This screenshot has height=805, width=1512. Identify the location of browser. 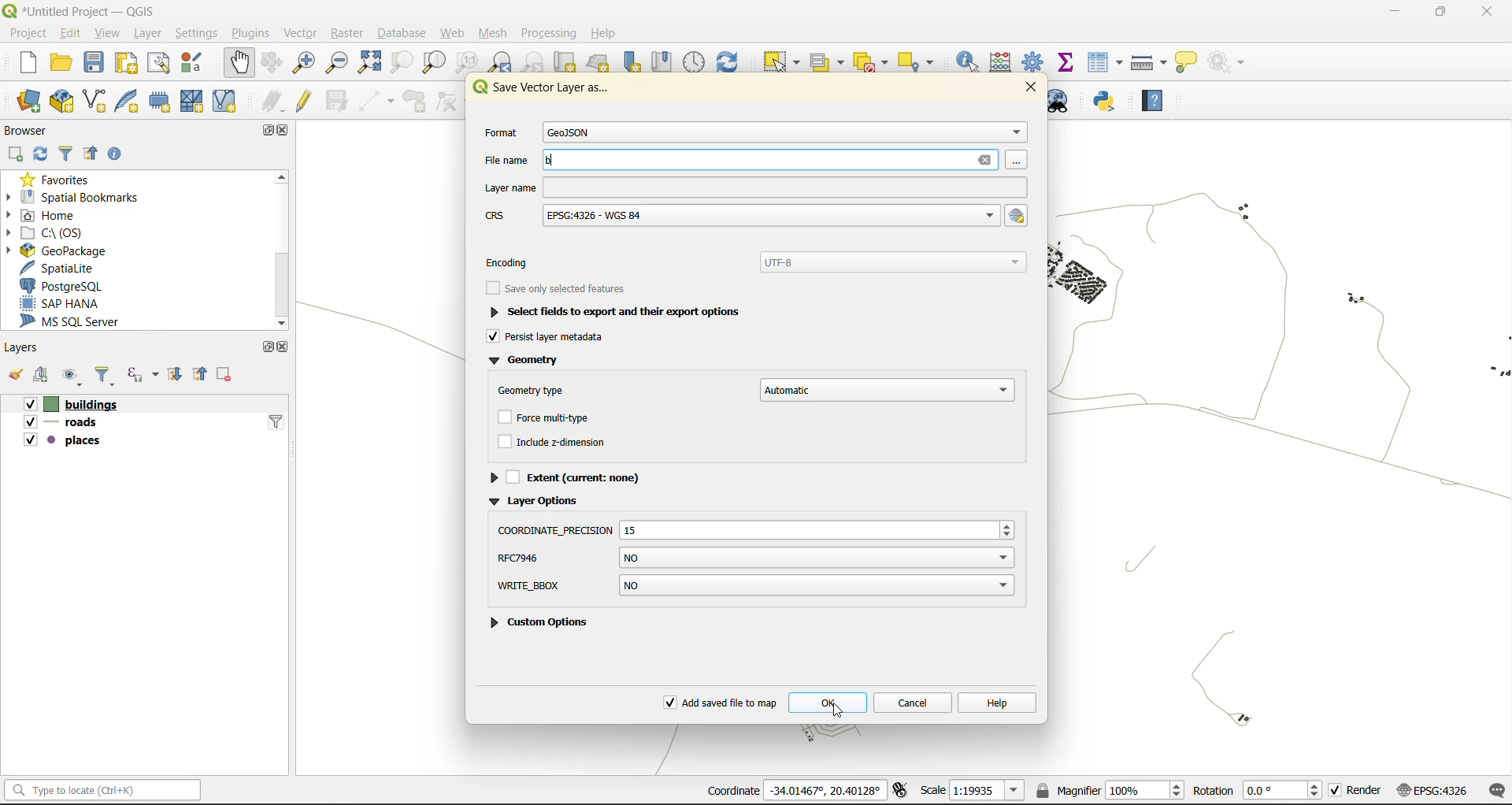
(32, 130).